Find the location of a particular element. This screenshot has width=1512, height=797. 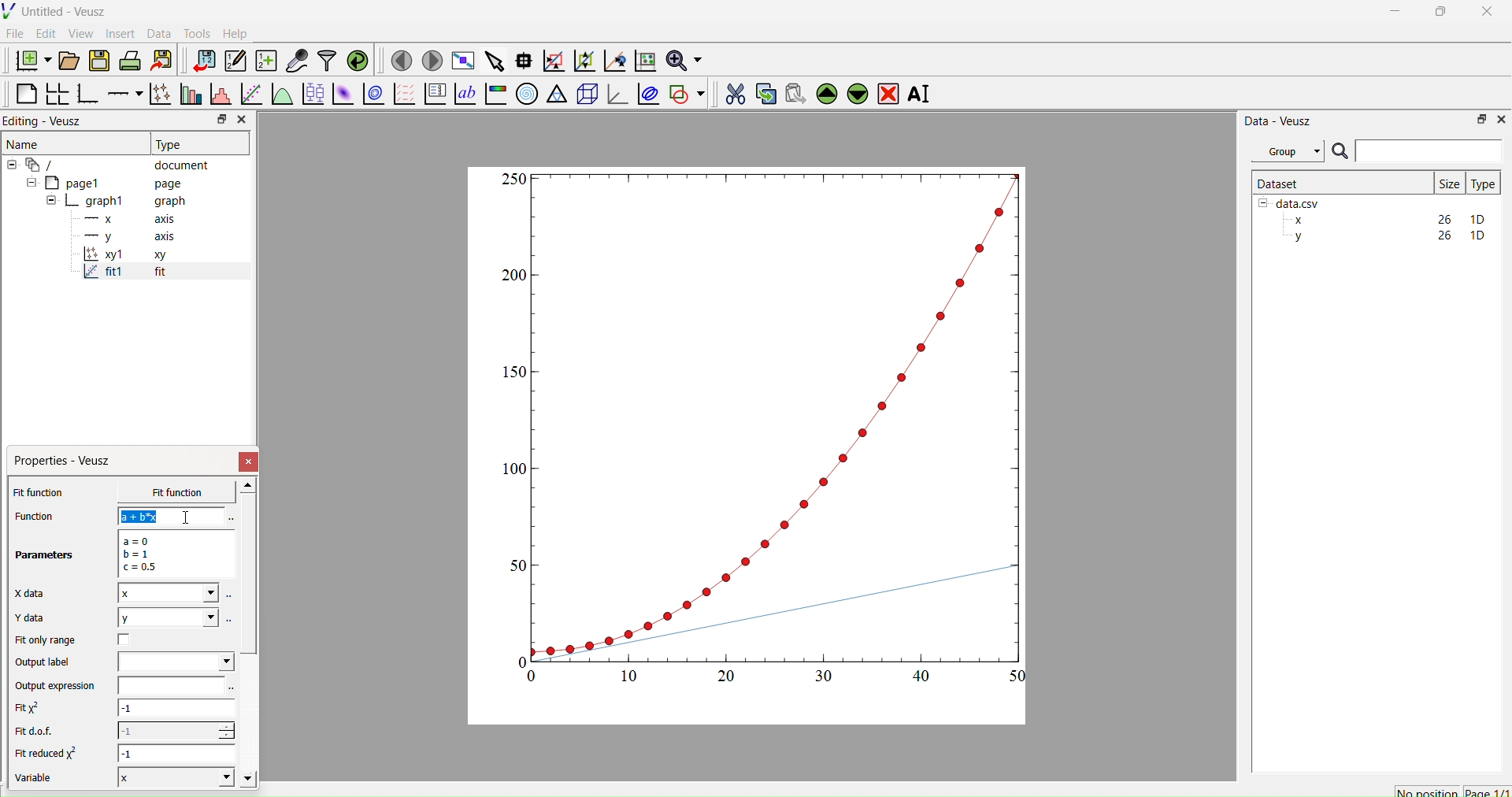

New Document is located at coordinates (29, 58).